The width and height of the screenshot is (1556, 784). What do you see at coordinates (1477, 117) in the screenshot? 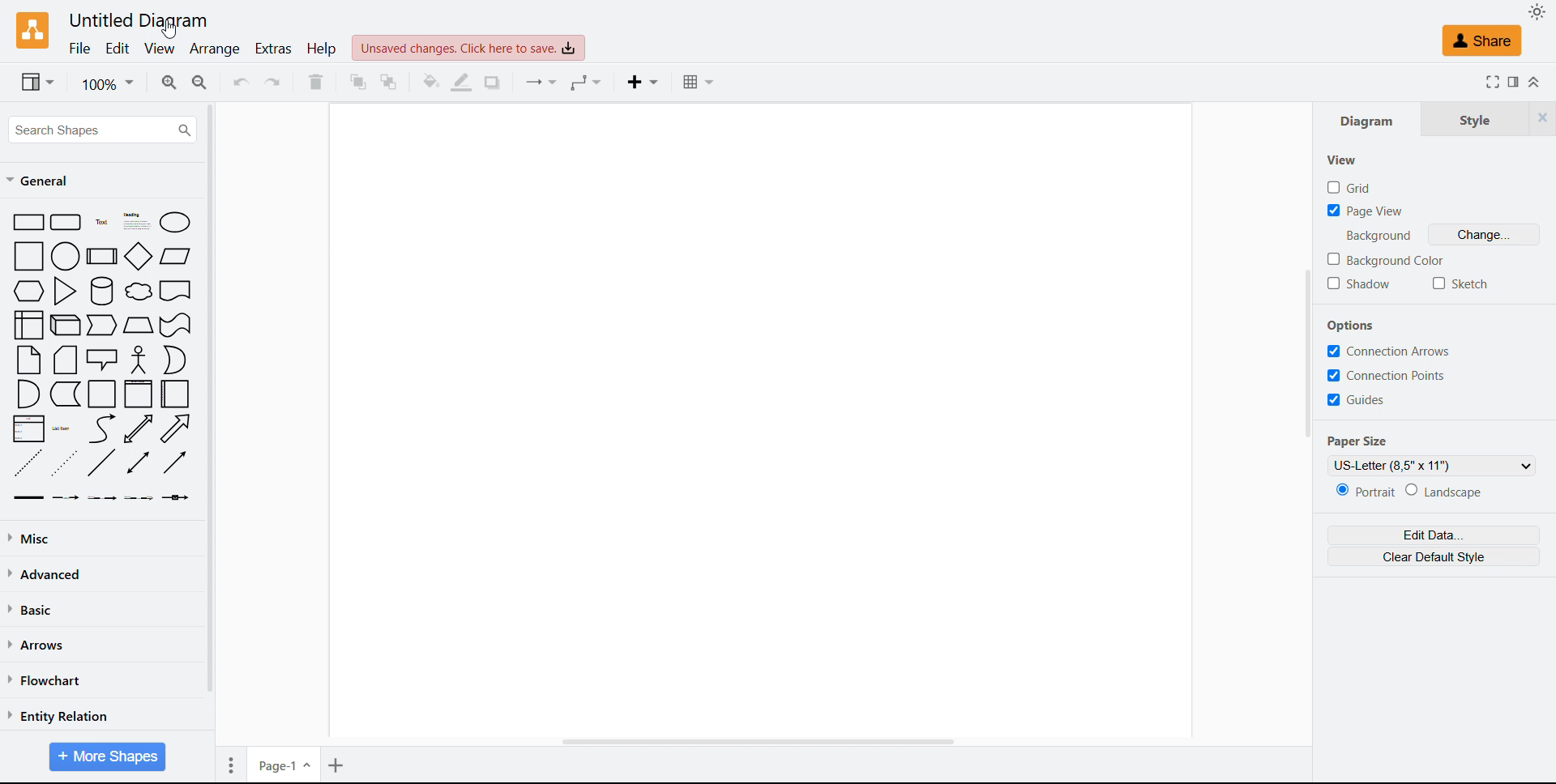
I see `Style ` at bounding box center [1477, 117].